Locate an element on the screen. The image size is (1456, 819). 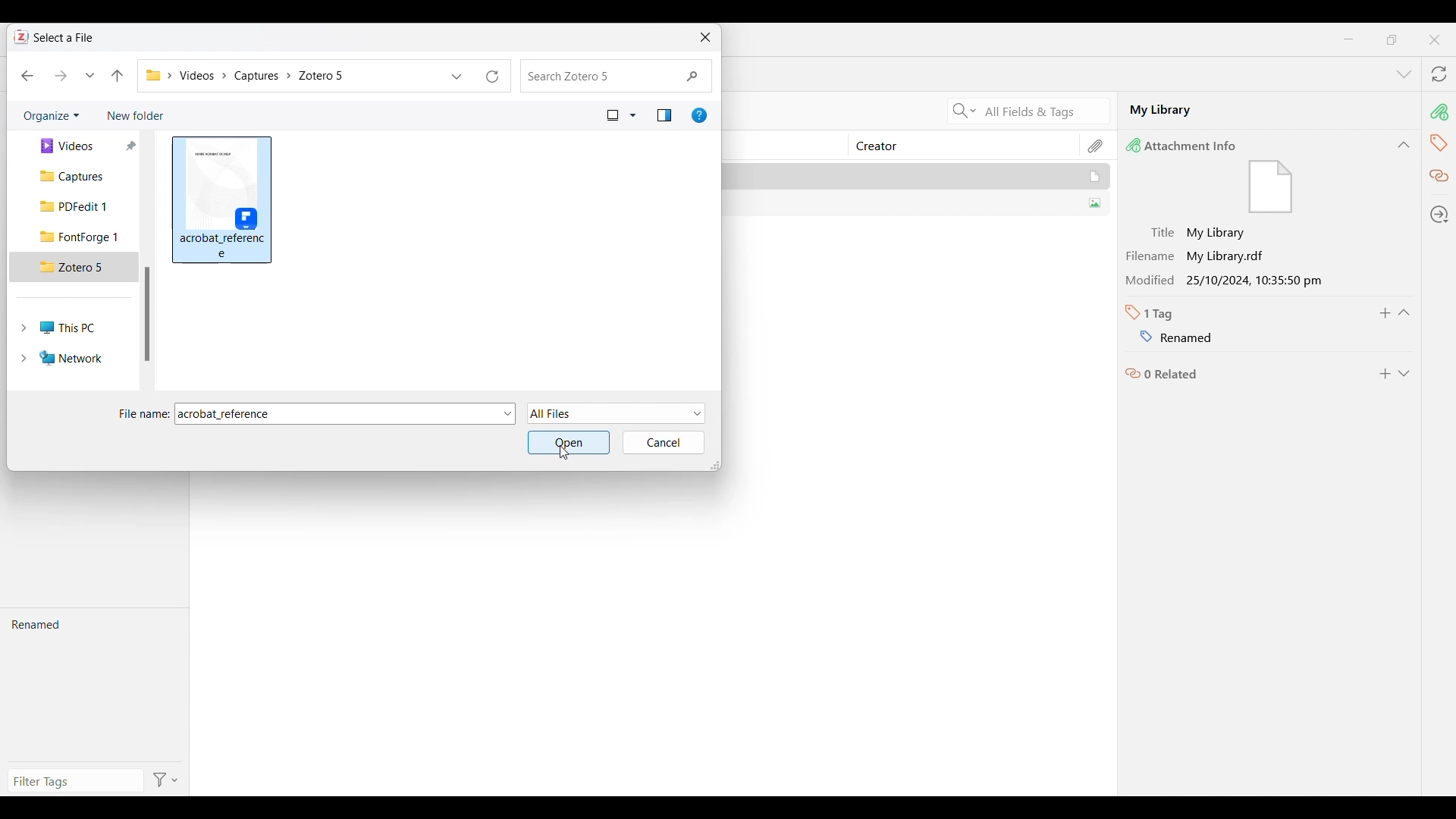
Network is located at coordinates (72, 359).